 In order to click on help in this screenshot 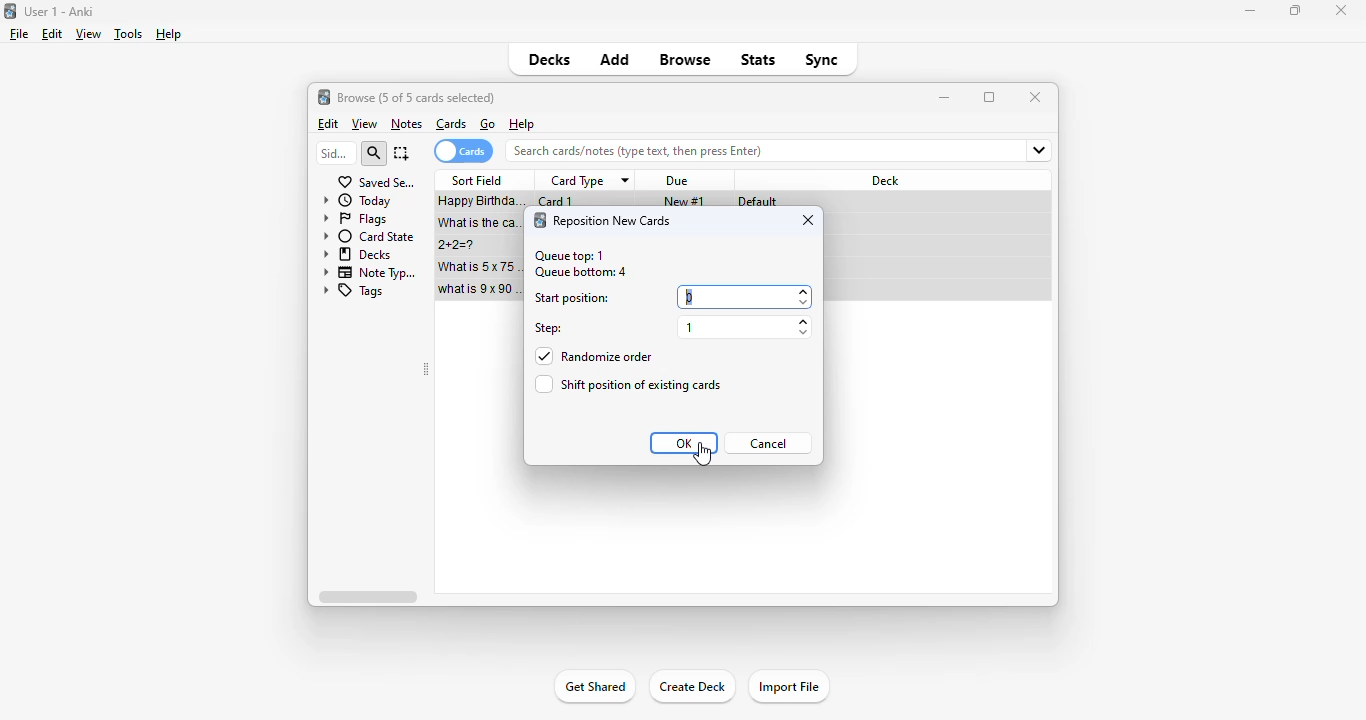, I will do `click(168, 34)`.